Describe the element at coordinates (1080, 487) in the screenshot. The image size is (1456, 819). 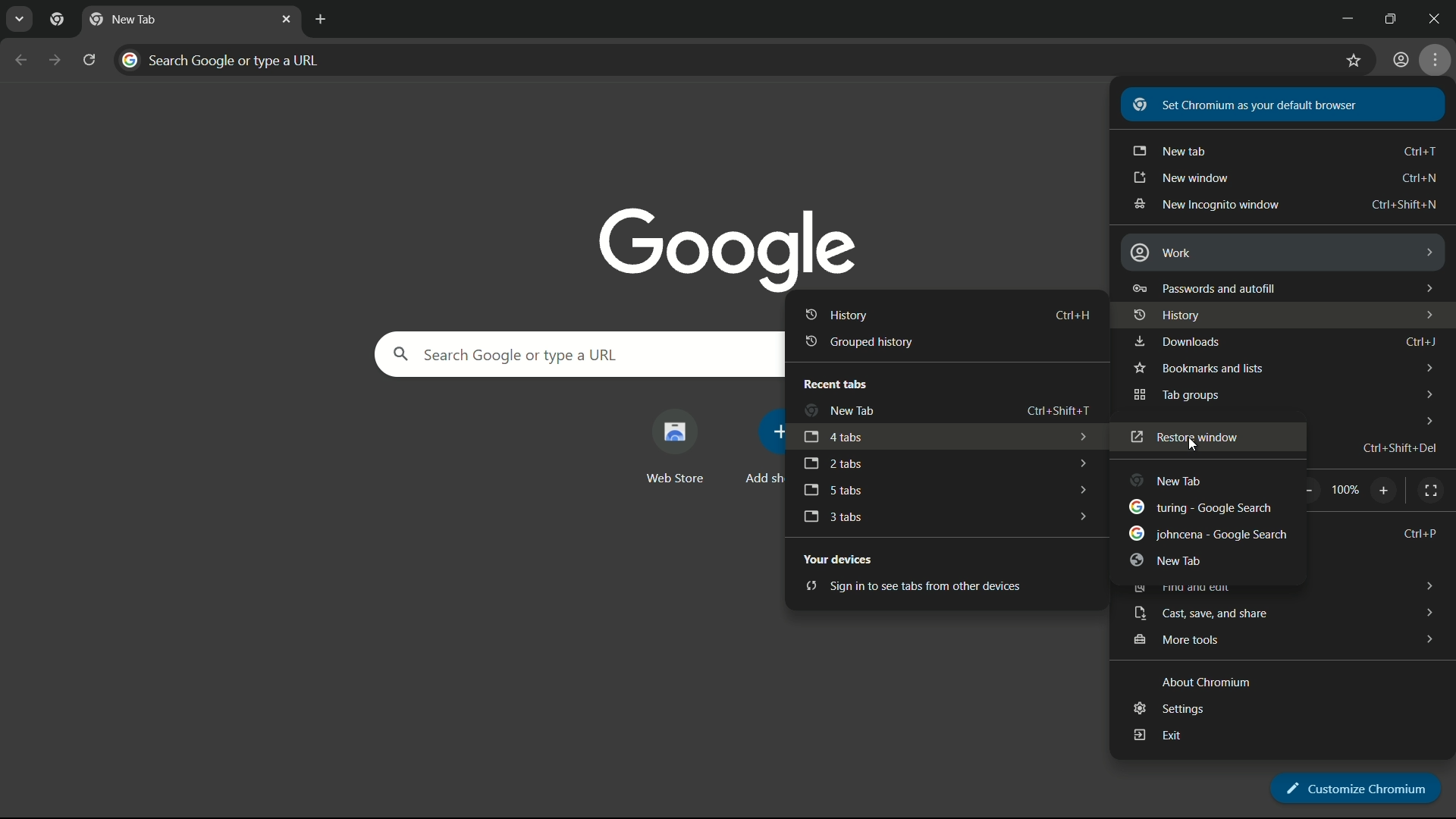
I see `dropdown arrows` at that location.